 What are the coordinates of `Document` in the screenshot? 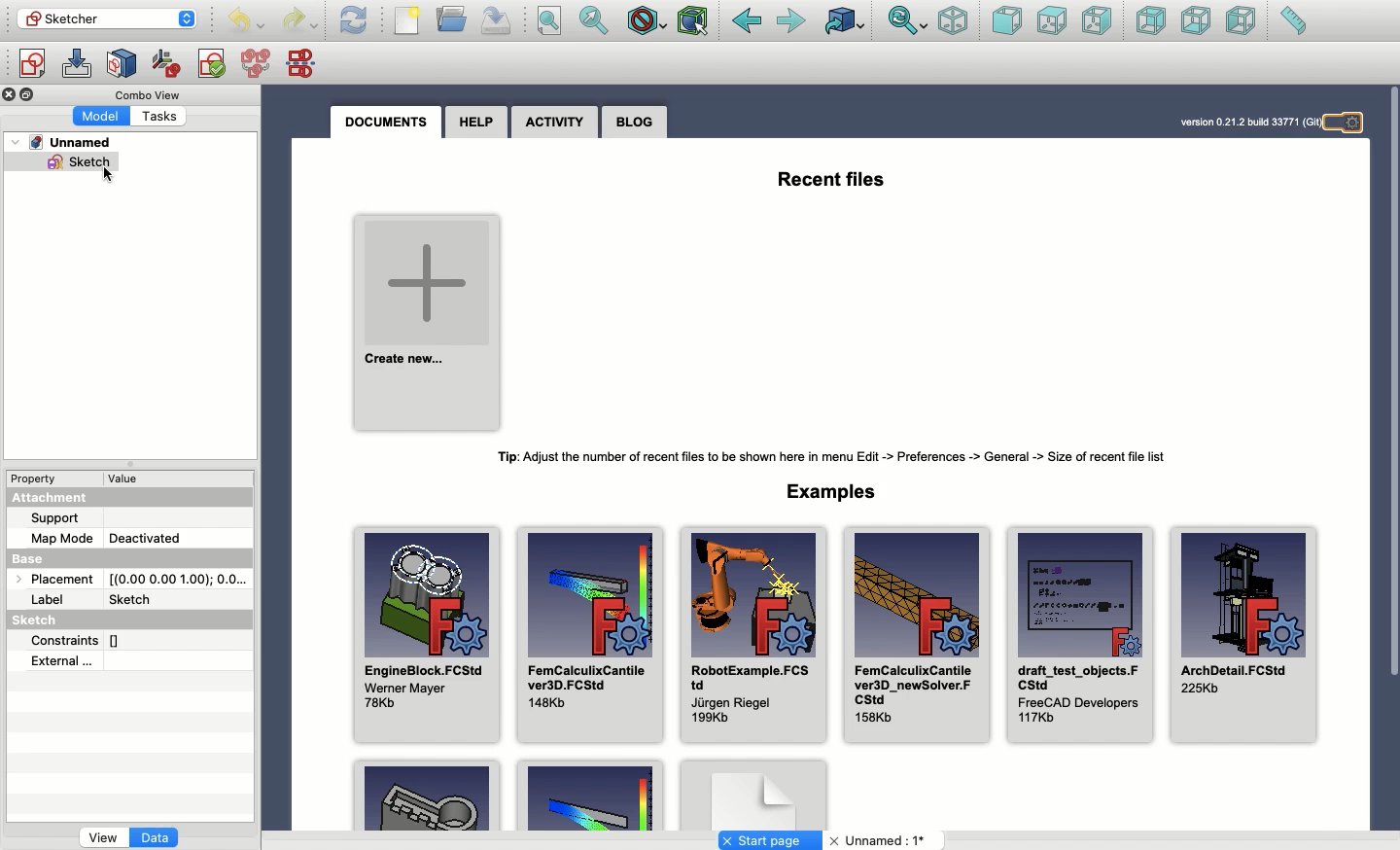 It's located at (753, 794).